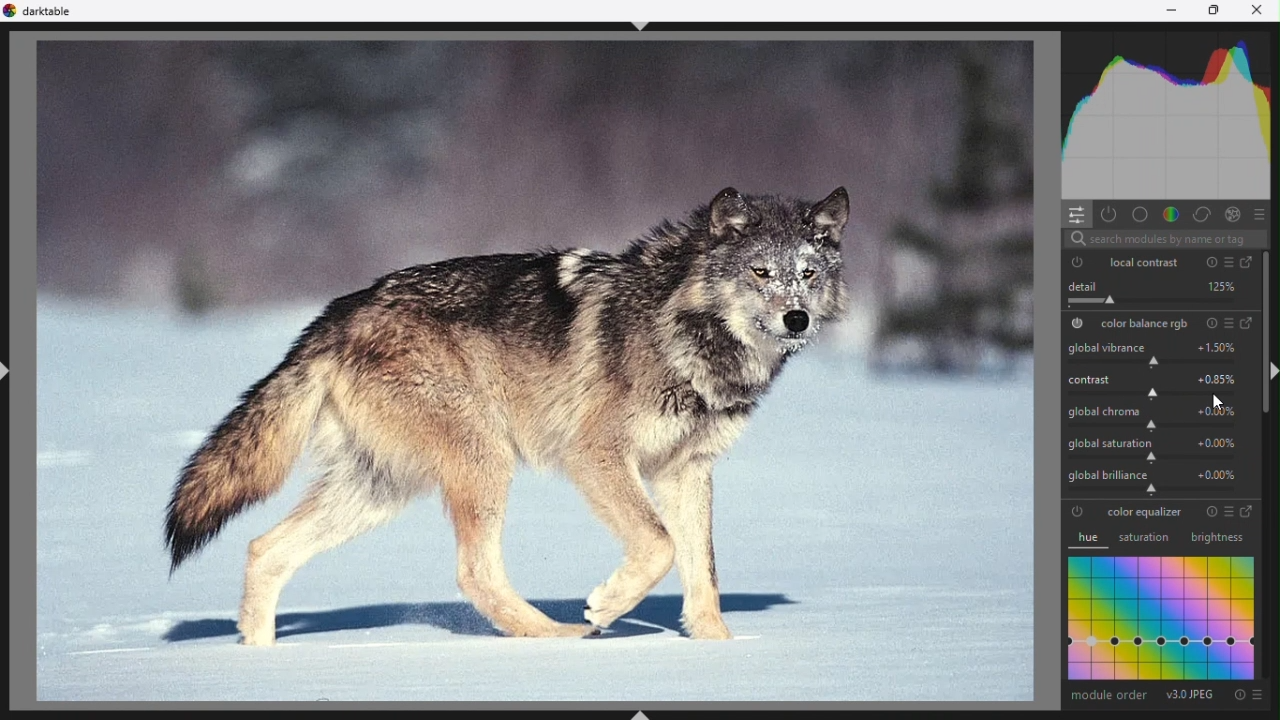  I want to click on global vibrance, so click(1150, 350).